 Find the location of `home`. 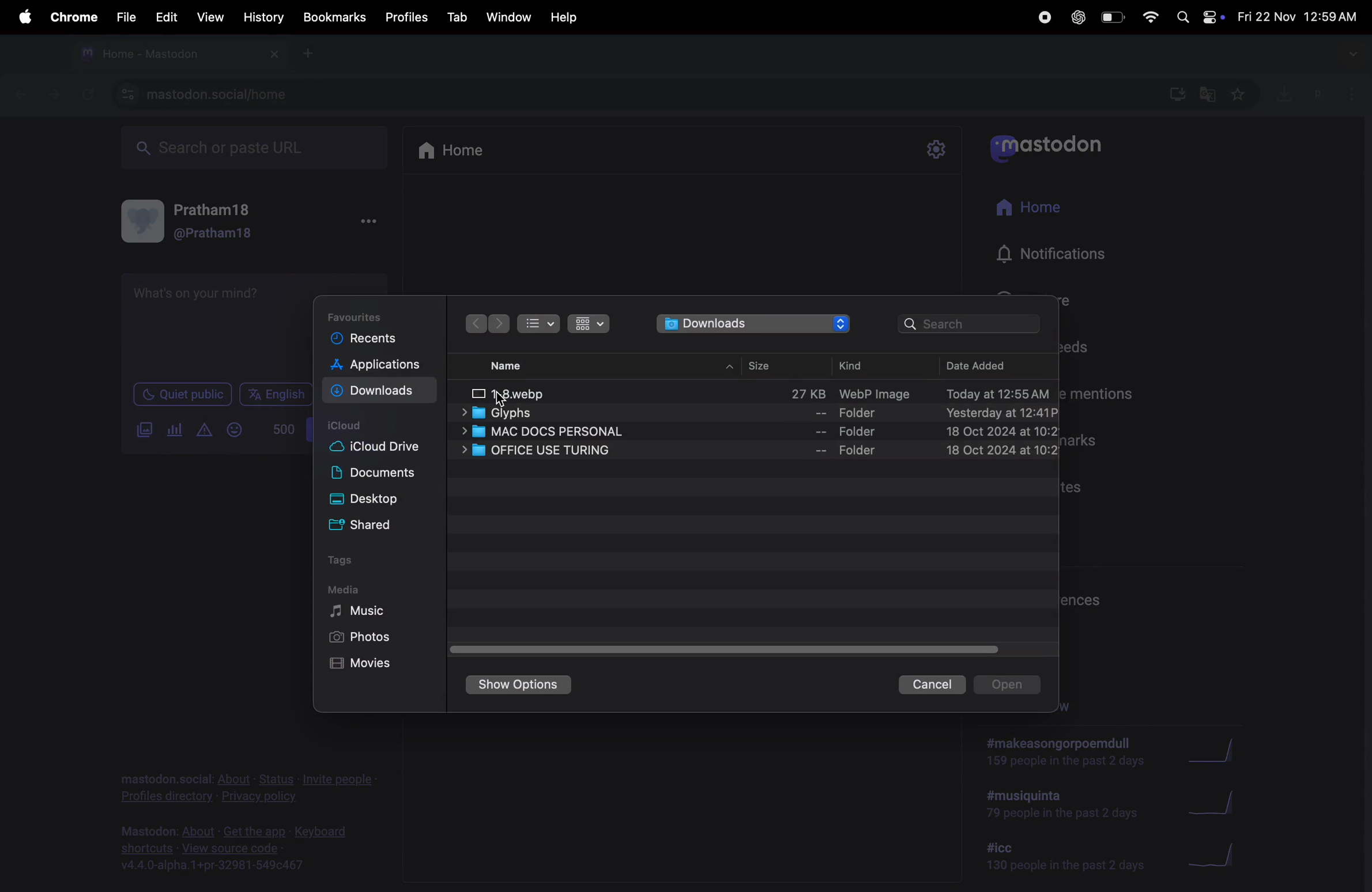

home is located at coordinates (459, 151).